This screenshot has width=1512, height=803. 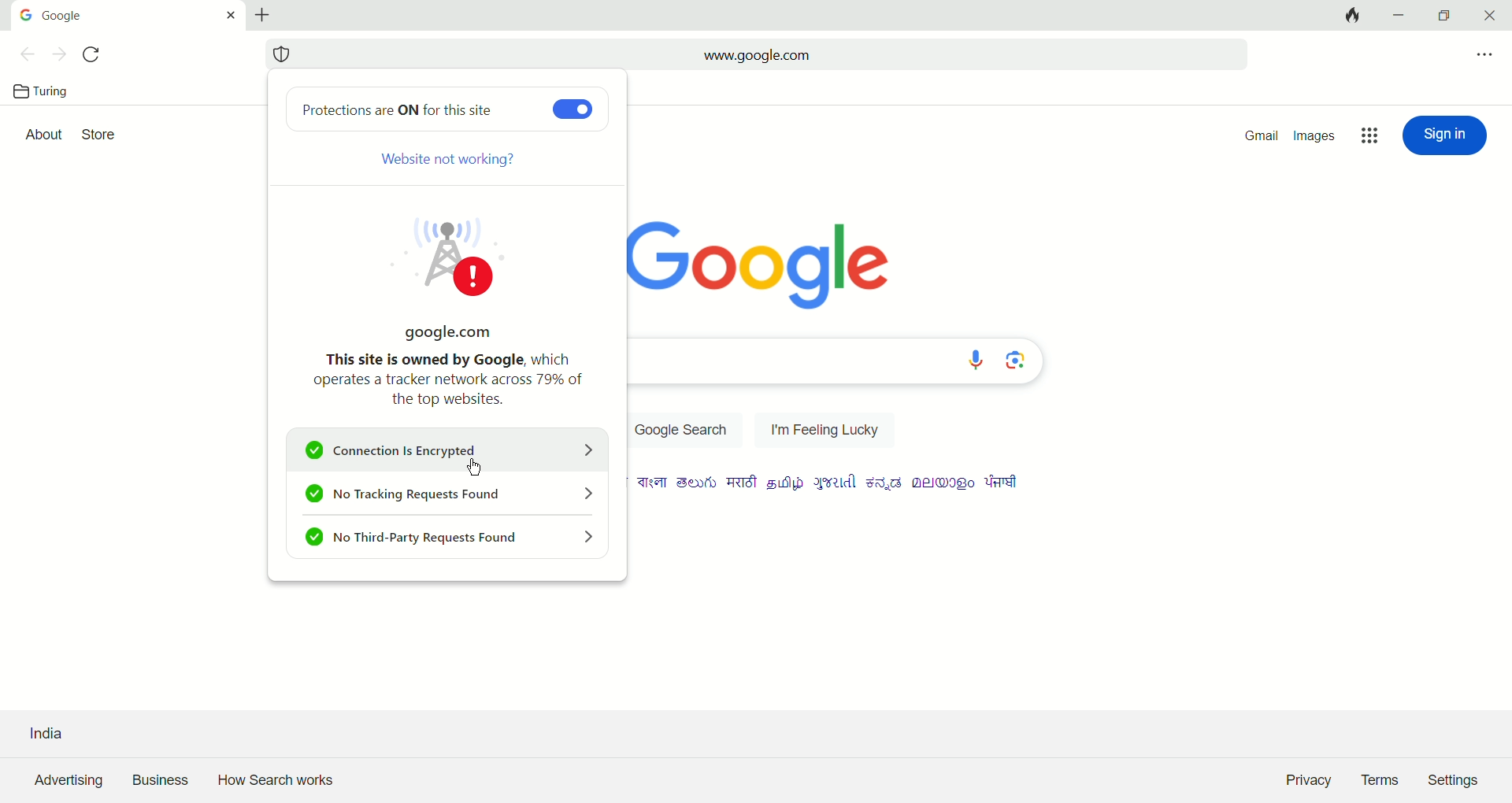 I want to click on refersh, so click(x=95, y=55).